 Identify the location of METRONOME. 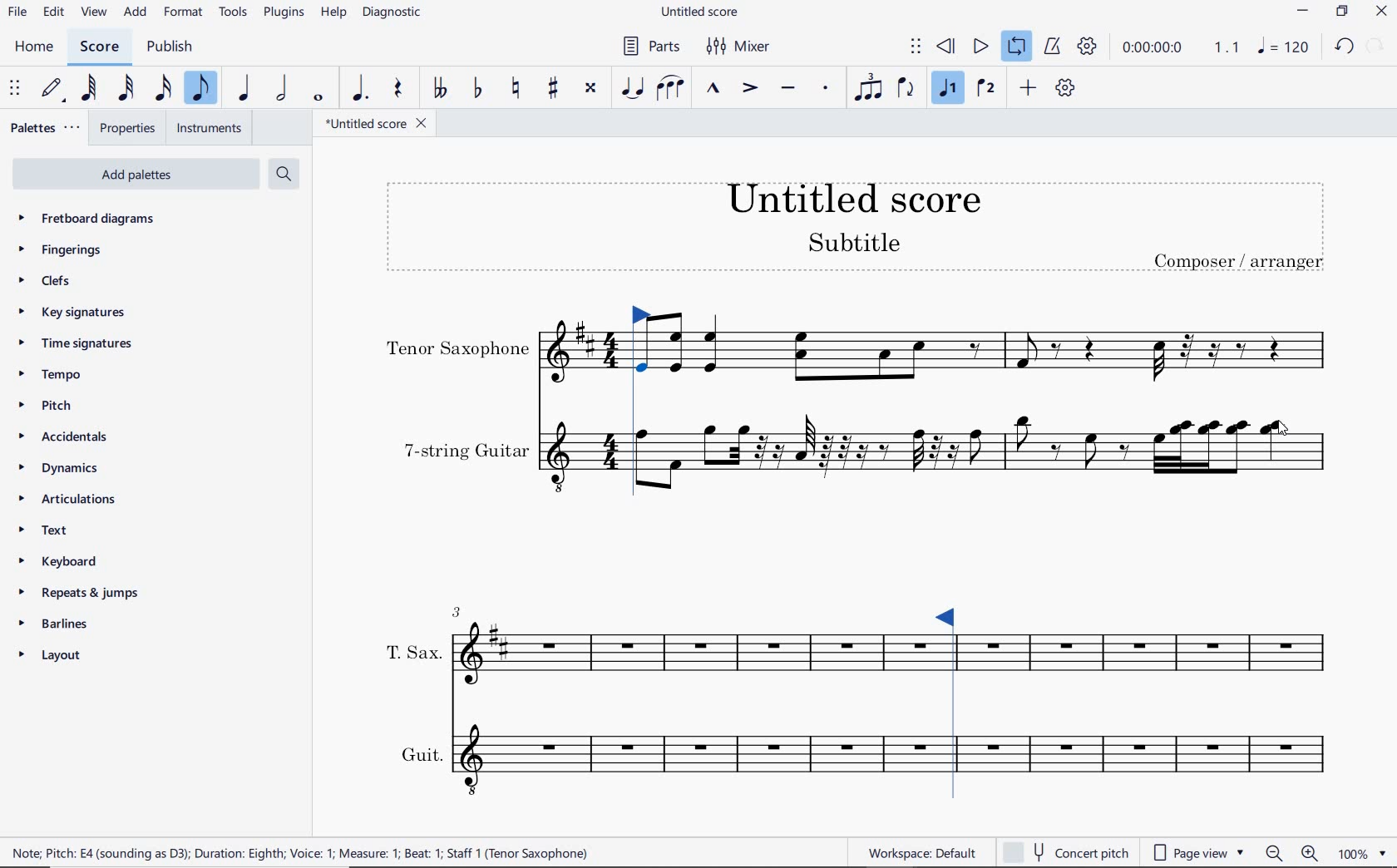
(1052, 45).